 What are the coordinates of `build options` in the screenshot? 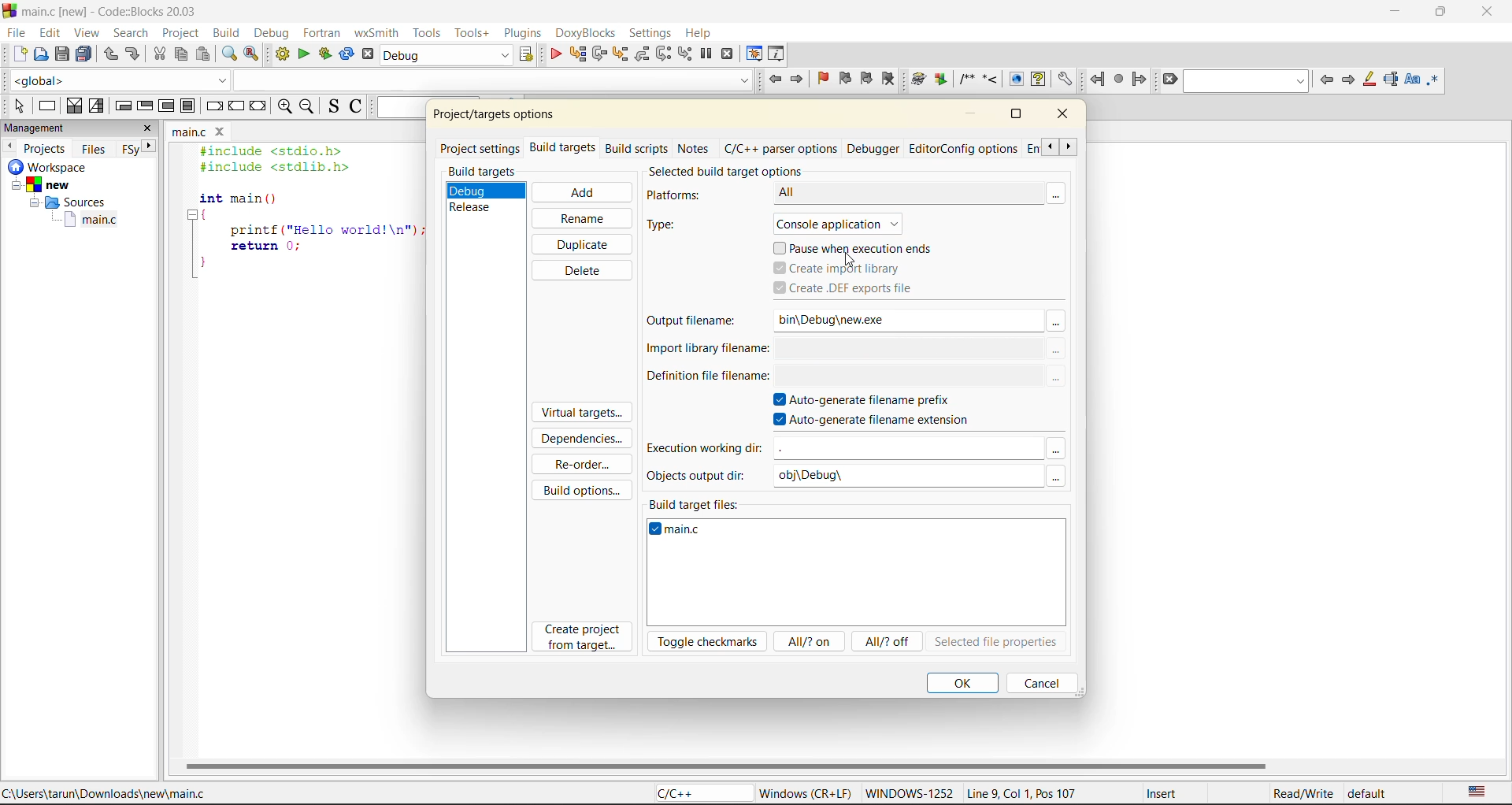 It's located at (585, 488).